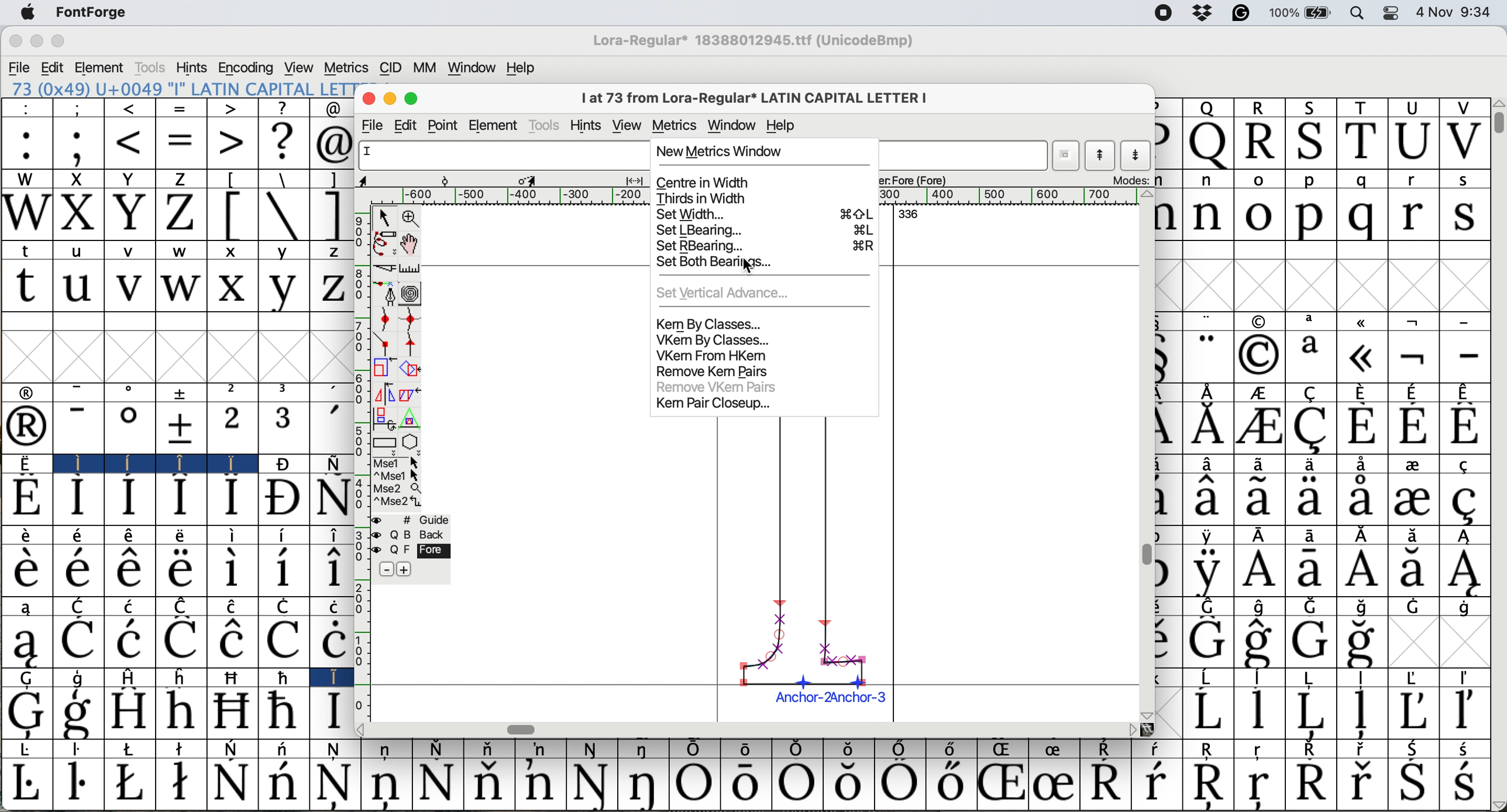  What do you see at coordinates (130, 393) in the screenshot?
I see `o` at bounding box center [130, 393].